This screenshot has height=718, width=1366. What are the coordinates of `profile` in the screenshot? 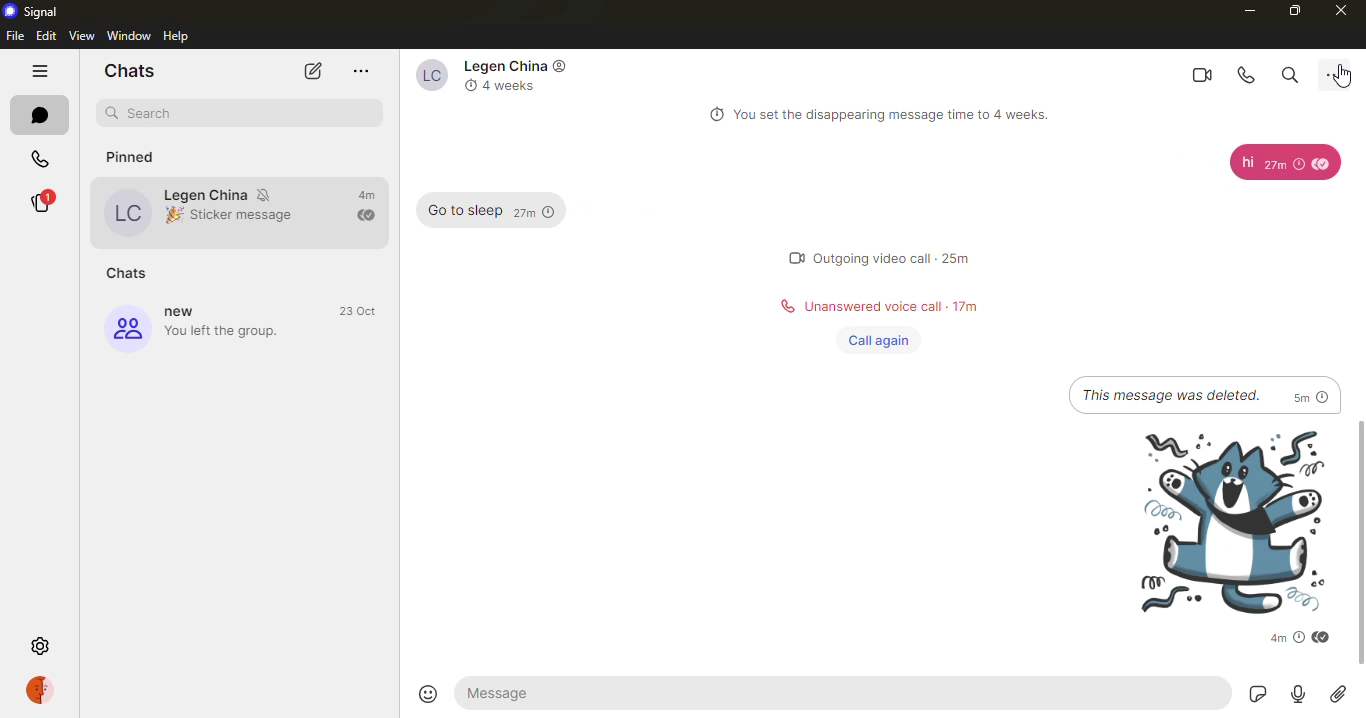 It's located at (126, 329).